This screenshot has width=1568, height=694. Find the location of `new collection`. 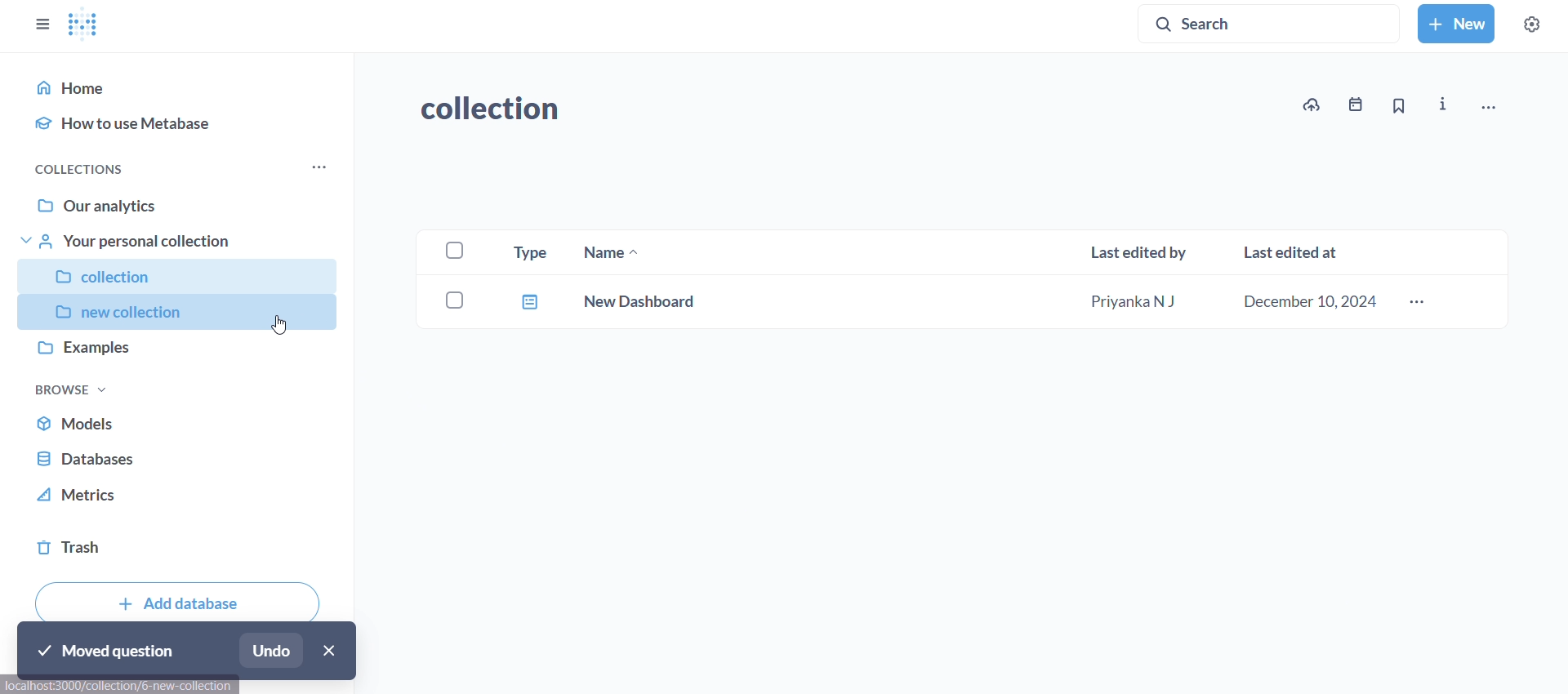

new collection is located at coordinates (175, 312).